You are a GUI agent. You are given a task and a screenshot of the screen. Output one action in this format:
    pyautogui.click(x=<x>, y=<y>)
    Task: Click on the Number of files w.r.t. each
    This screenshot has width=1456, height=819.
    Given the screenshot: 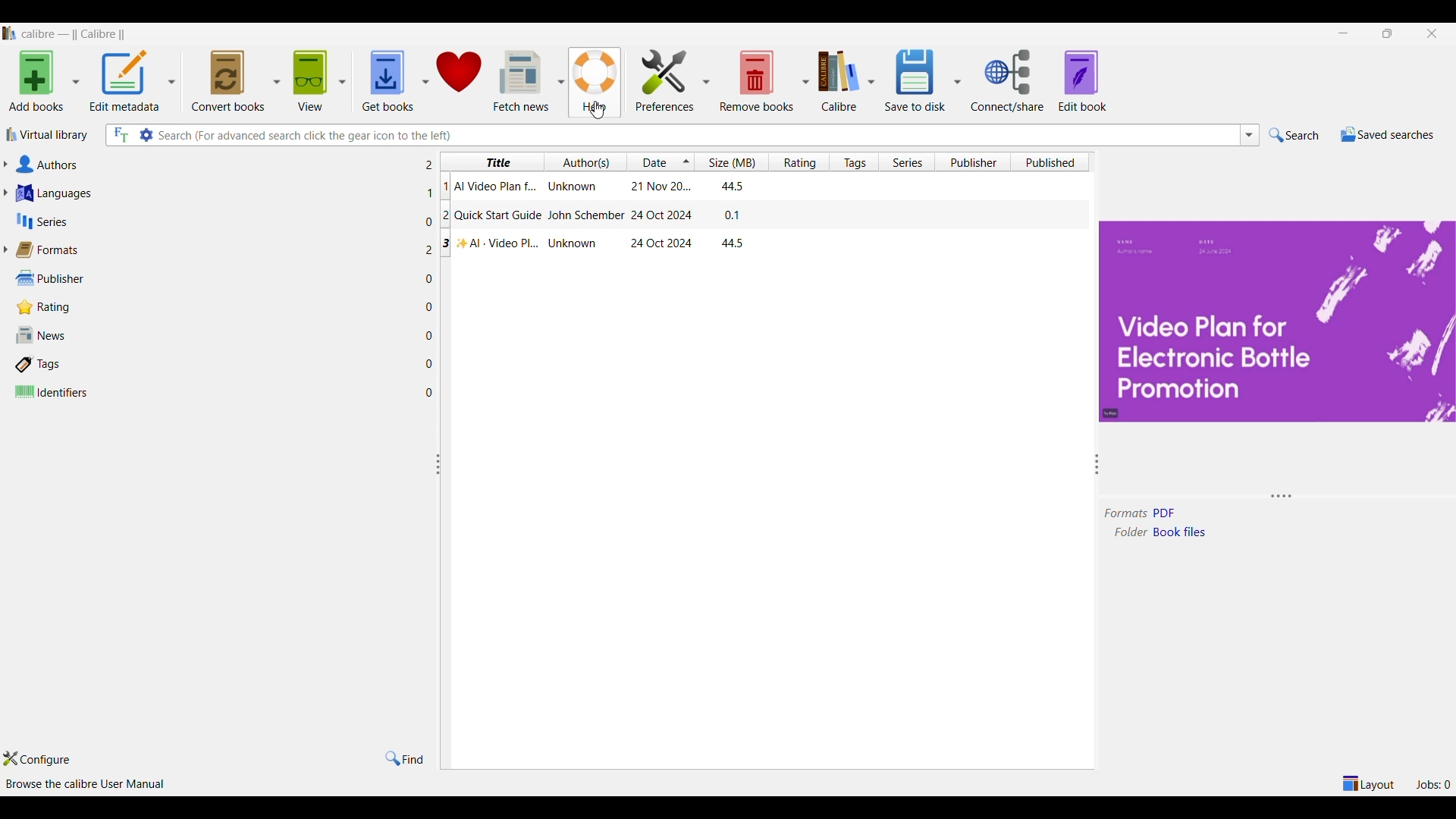 What is the action you would take?
    pyautogui.click(x=428, y=278)
    